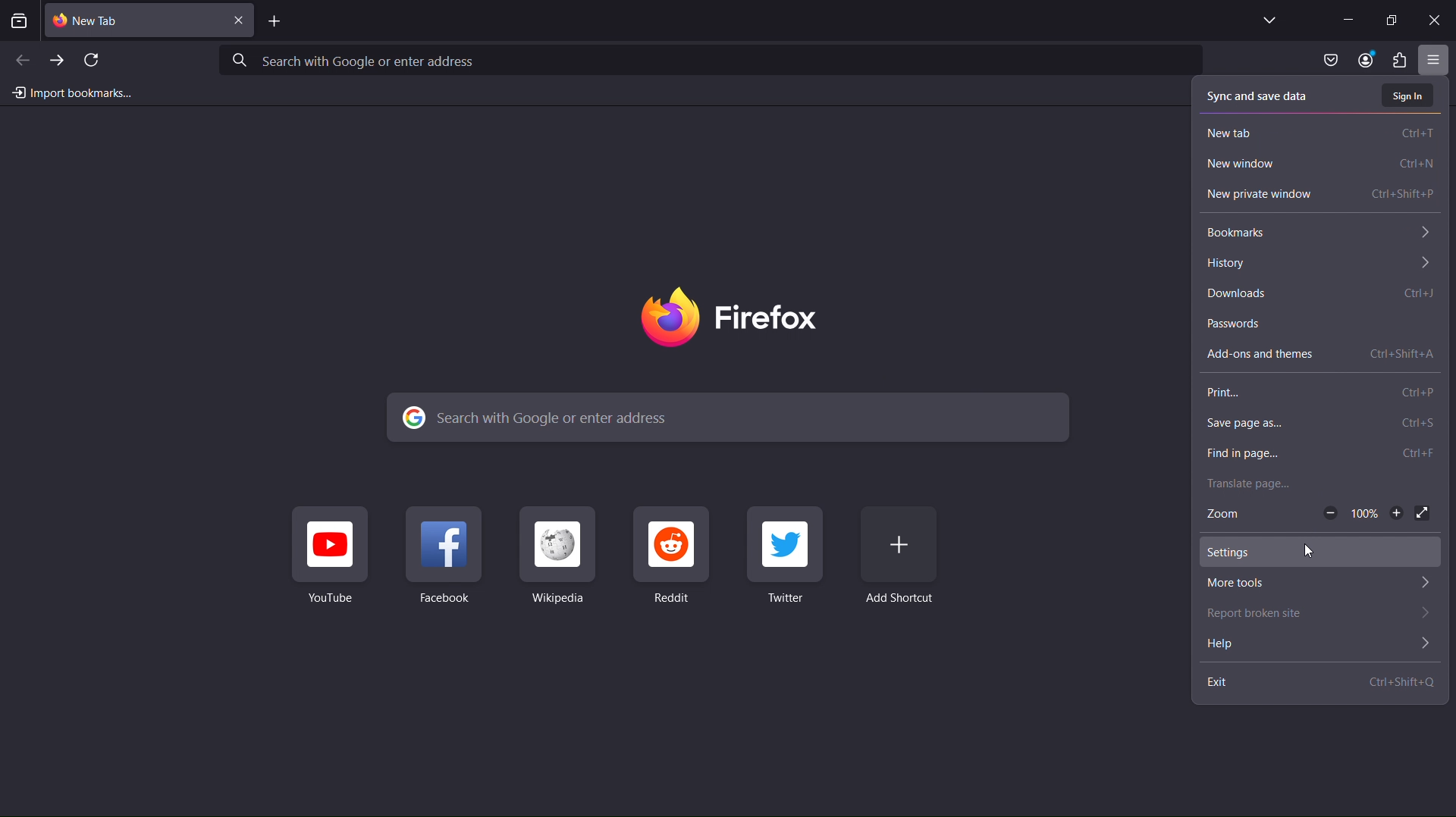  Describe the element at coordinates (1437, 59) in the screenshot. I see `Open application menu` at that location.